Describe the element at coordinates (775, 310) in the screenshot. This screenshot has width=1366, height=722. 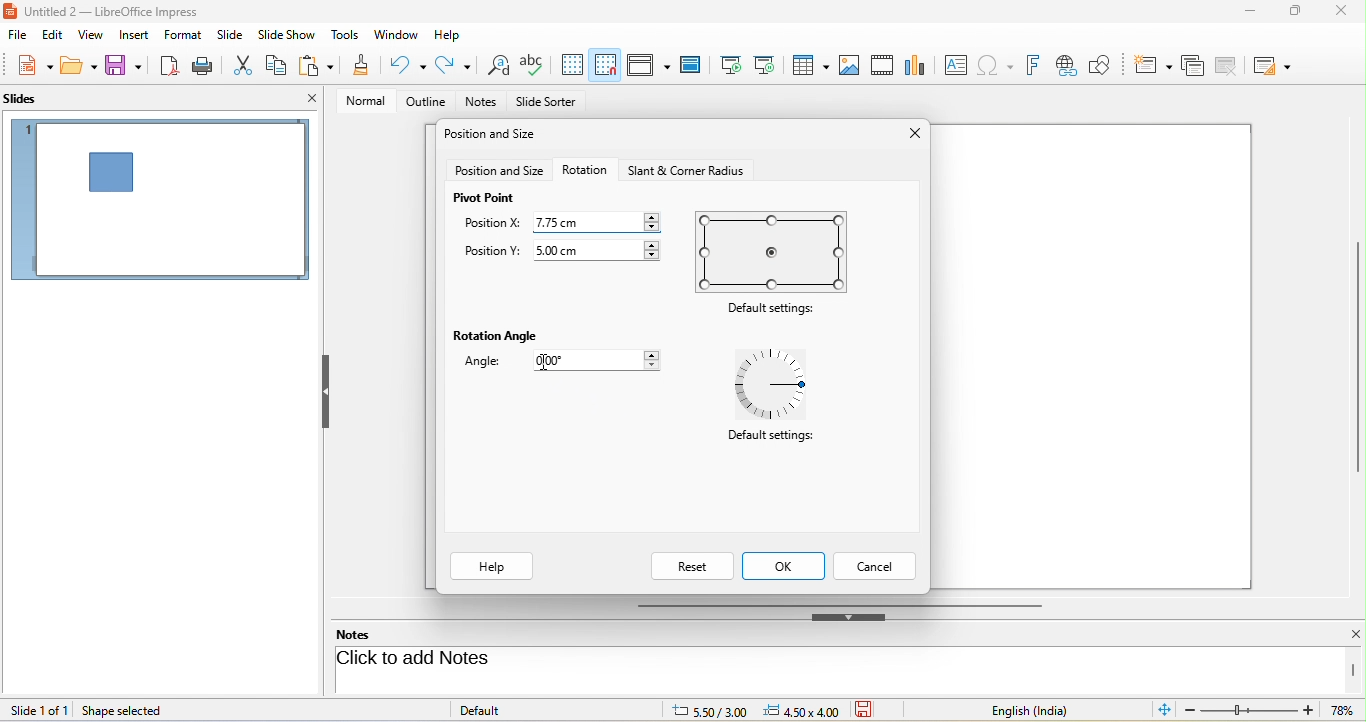
I see `default settings` at that location.